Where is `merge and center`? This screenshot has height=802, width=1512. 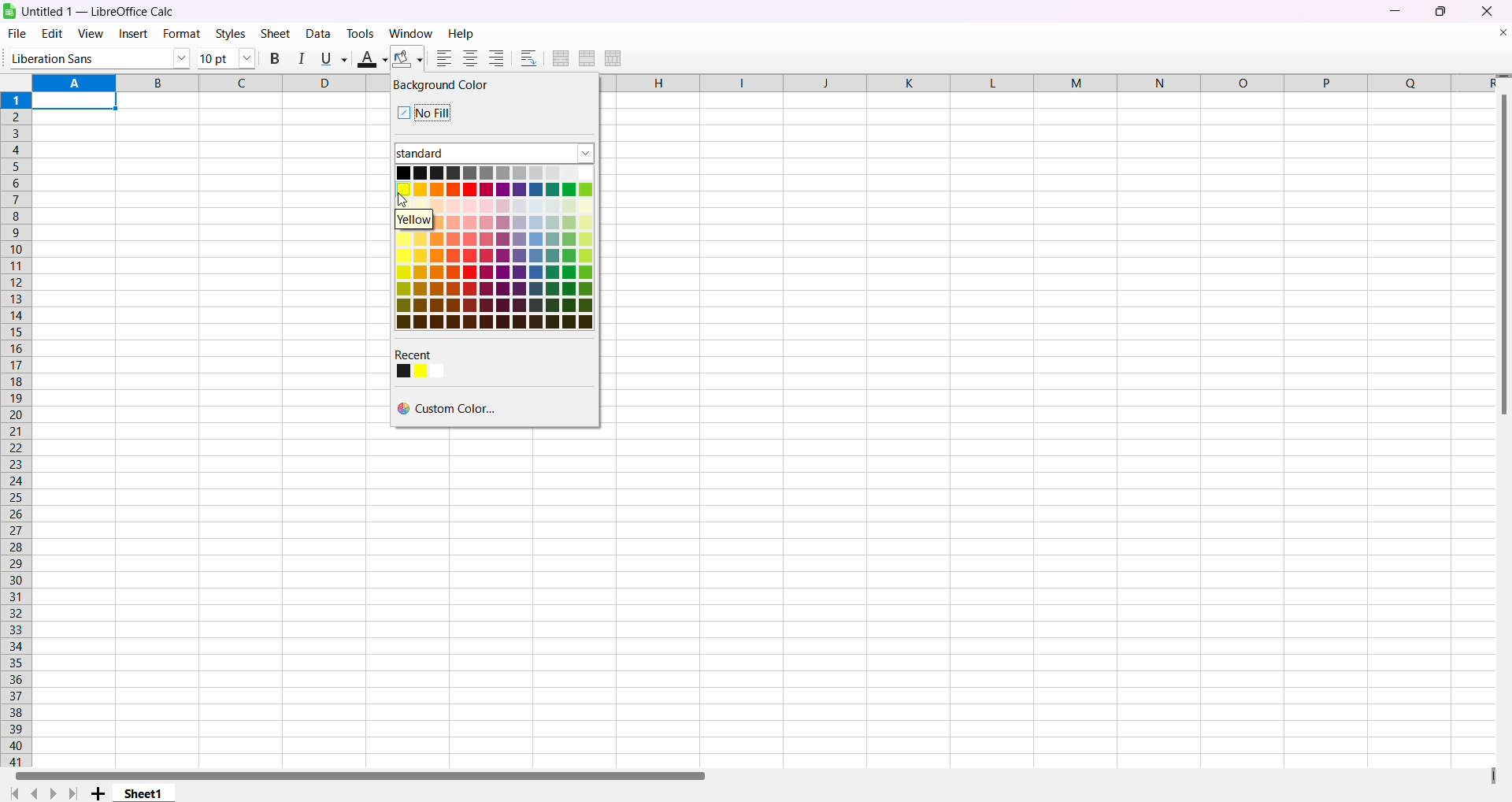
merge and center is located at coordinates (560, 56).